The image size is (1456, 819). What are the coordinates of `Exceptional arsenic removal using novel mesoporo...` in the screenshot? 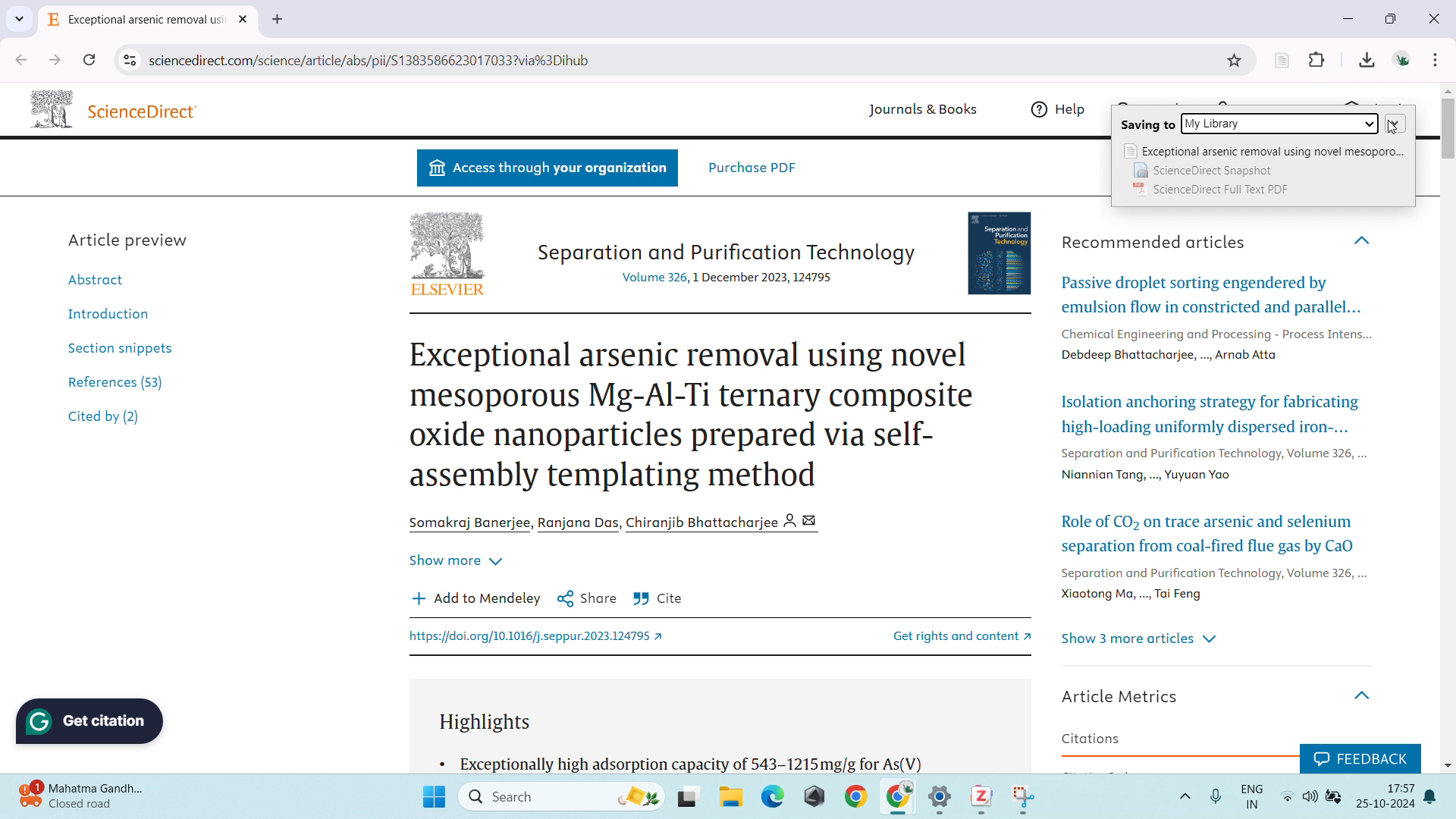 It's located at (1265, 152).